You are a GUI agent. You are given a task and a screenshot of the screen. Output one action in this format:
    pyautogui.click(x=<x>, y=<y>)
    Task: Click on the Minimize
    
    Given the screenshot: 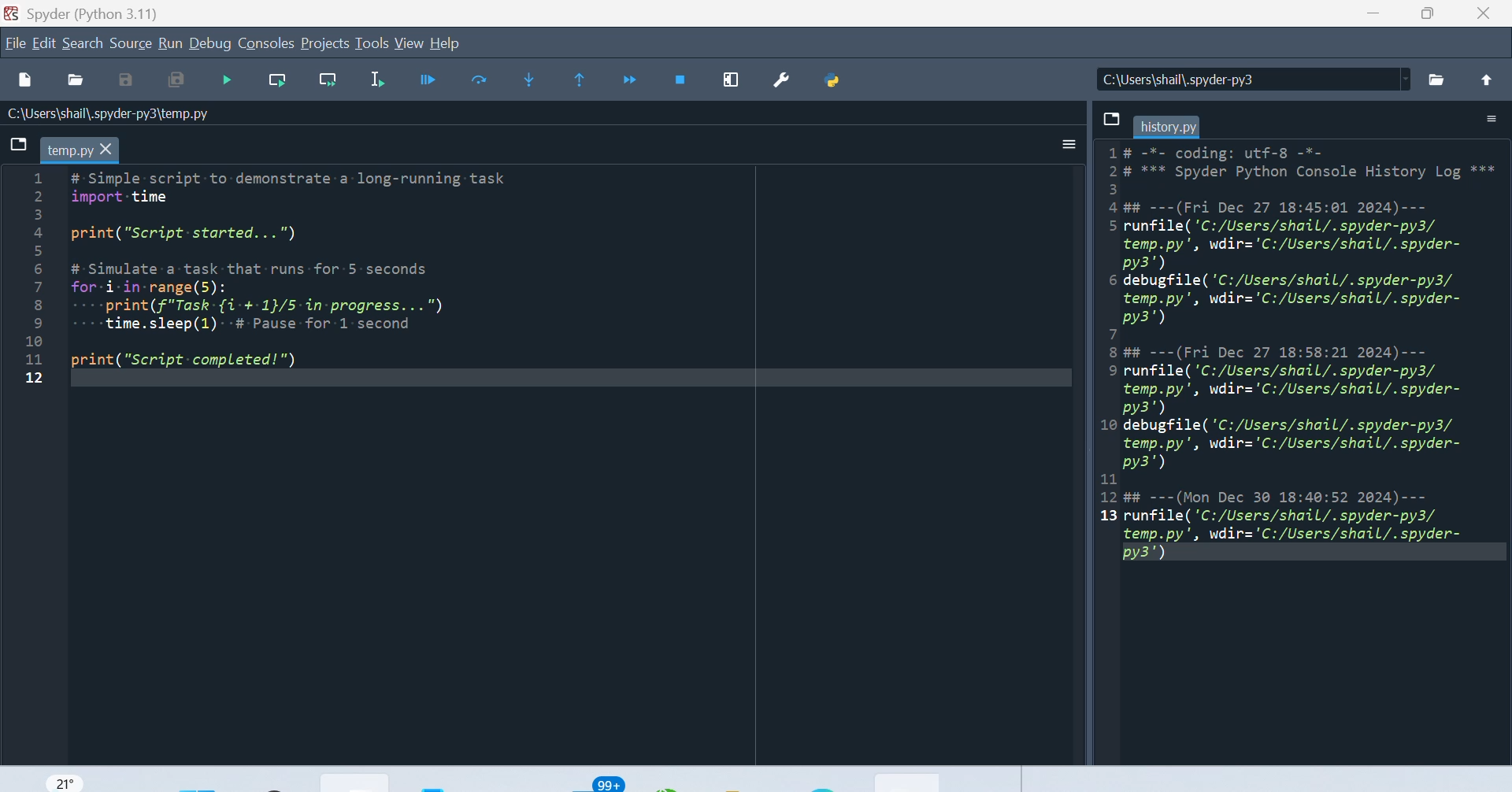 What is the action you would take?
    pyautogui.click(x=1374, y=20)
    